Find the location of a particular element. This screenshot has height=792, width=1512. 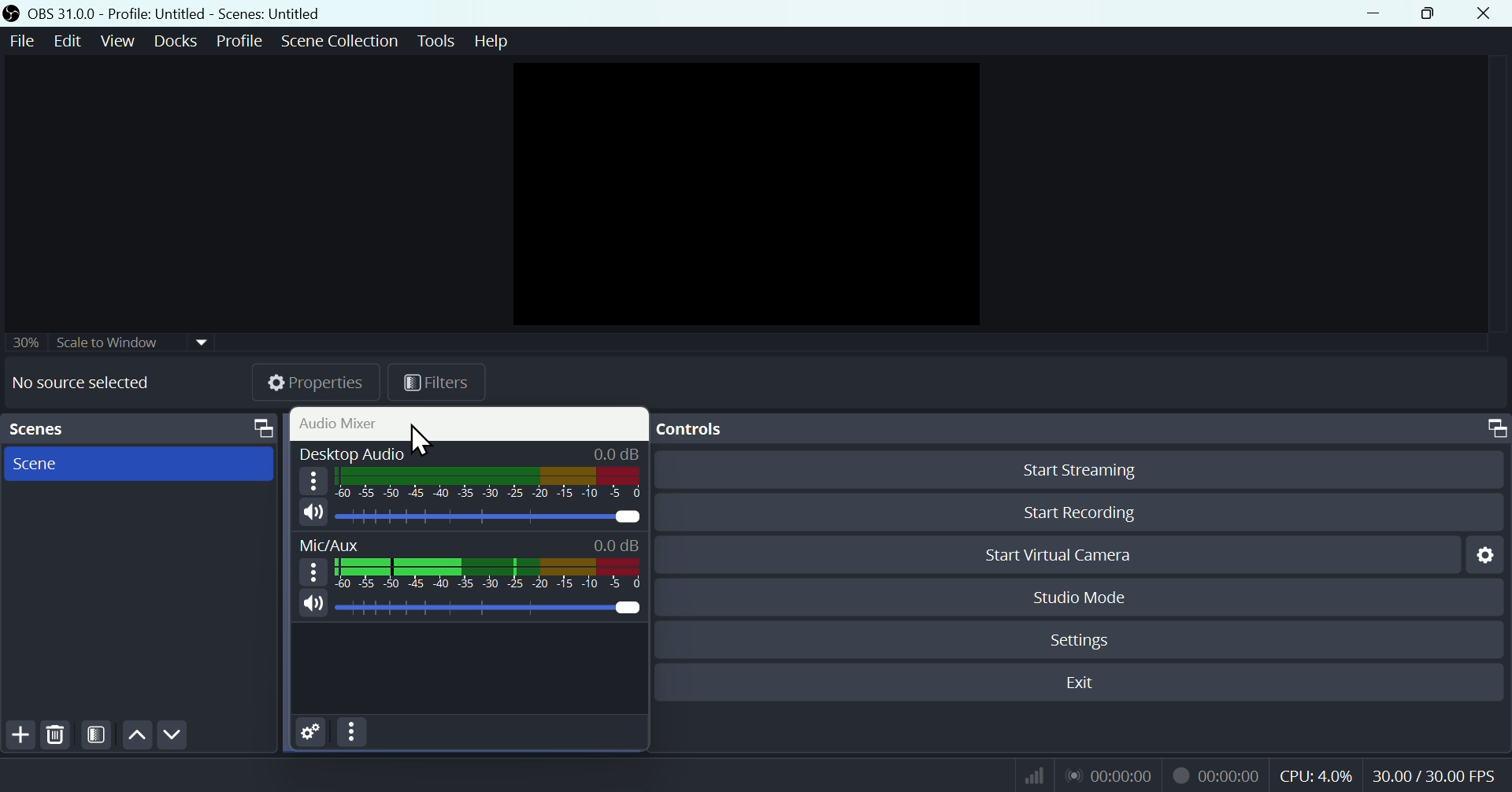

Start streaming is located at coordinates (1080, 472).